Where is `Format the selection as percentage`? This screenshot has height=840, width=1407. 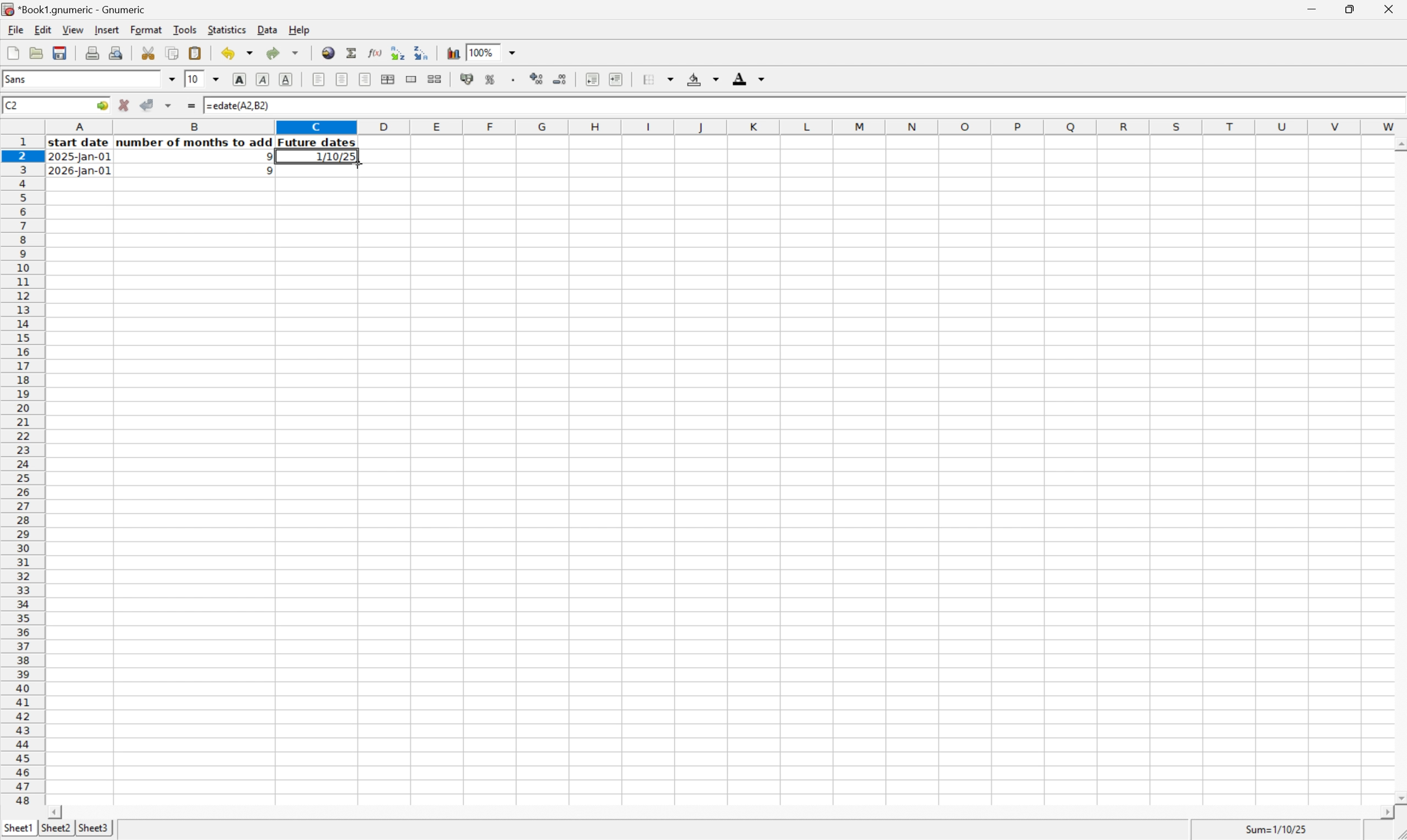
Format the selection as percentage is located at coordinates (491, 81).